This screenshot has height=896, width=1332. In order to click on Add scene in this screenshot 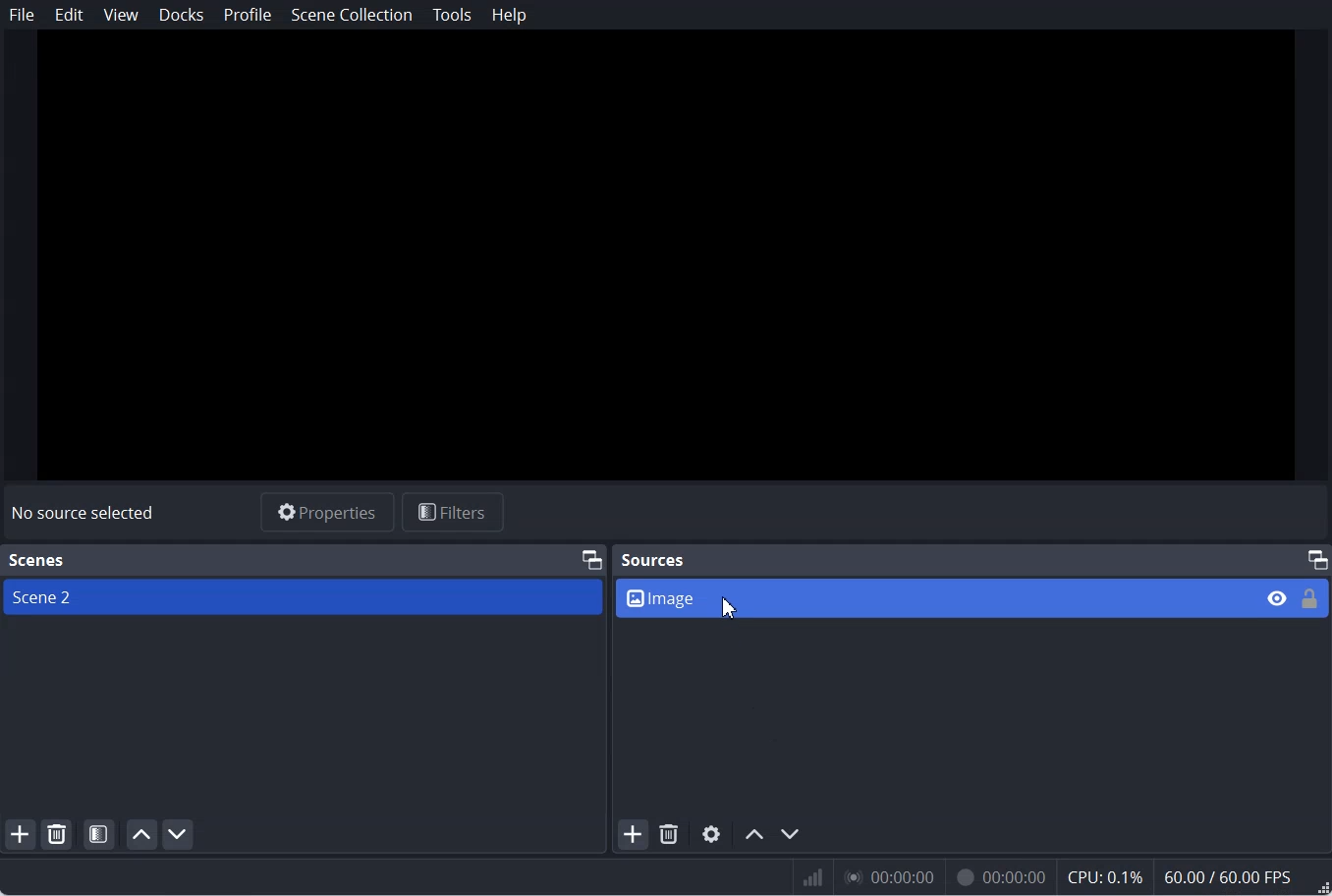, I will do `click(19, 833)`.